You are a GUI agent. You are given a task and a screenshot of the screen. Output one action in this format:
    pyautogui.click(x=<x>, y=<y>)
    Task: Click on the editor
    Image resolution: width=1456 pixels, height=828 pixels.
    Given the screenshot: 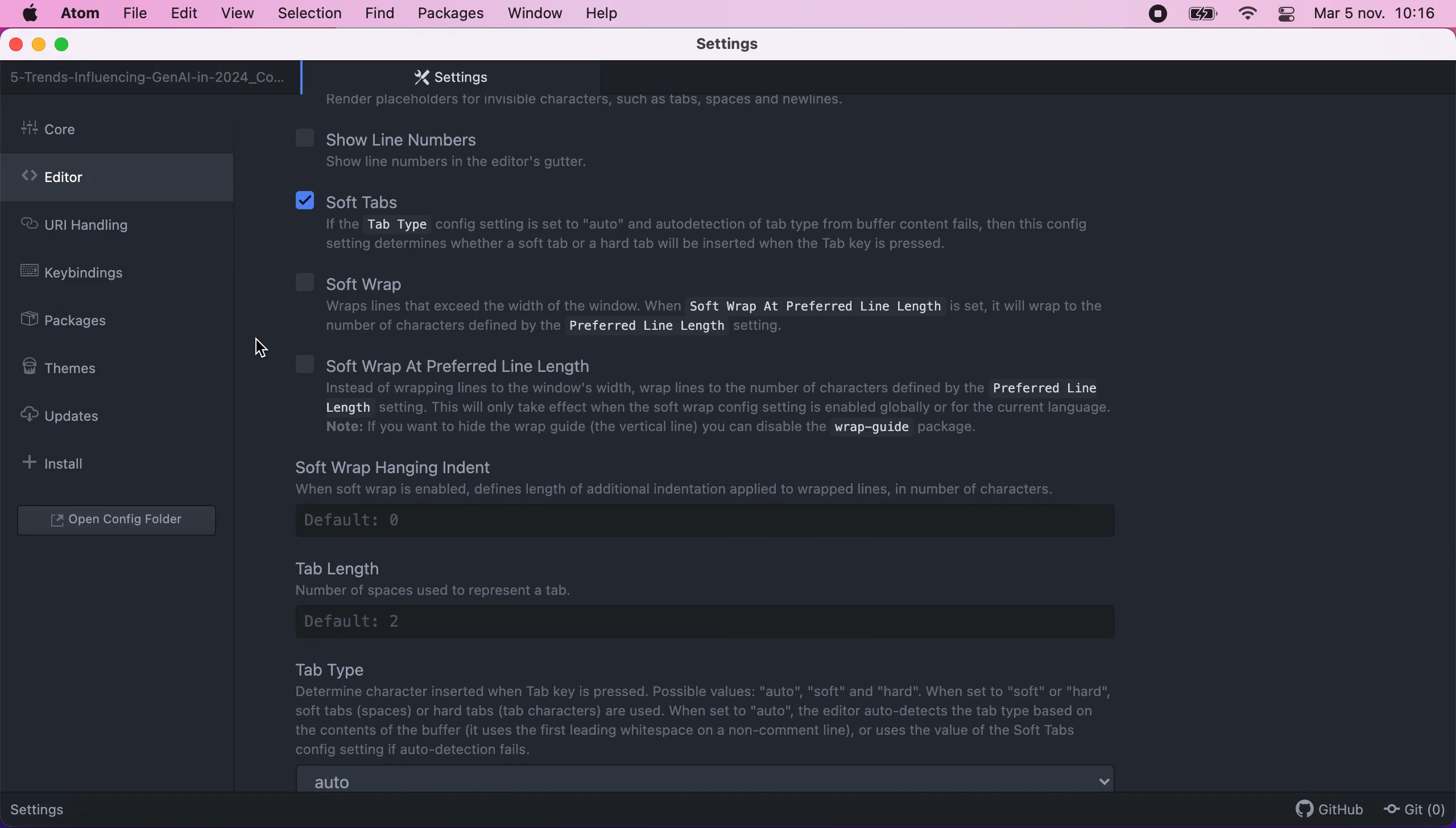 What is the action you would take?
    pyautogui.click(x=117, y=181)
    